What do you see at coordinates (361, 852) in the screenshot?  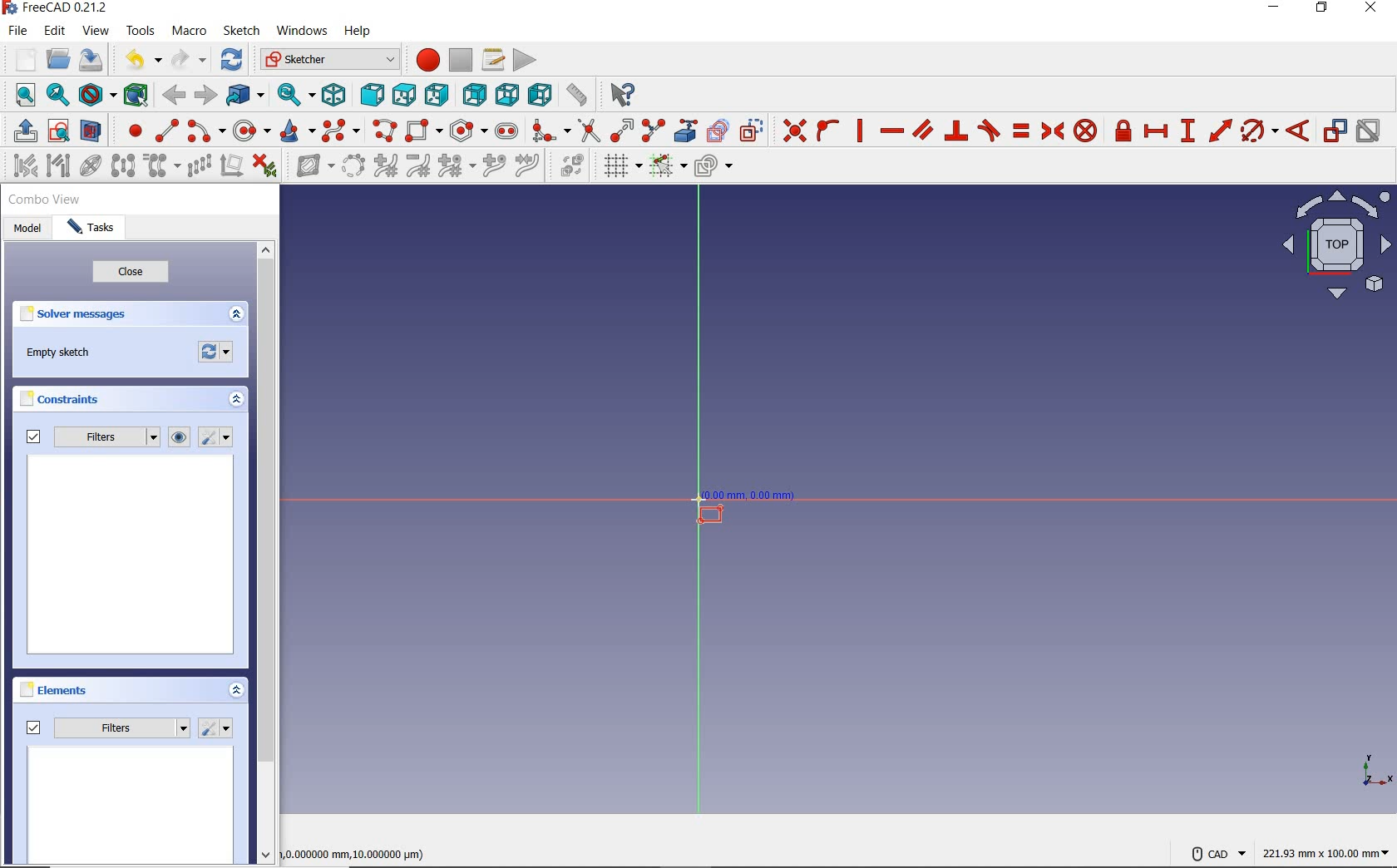 I see `dimensions` at bounding box center [361, 852].